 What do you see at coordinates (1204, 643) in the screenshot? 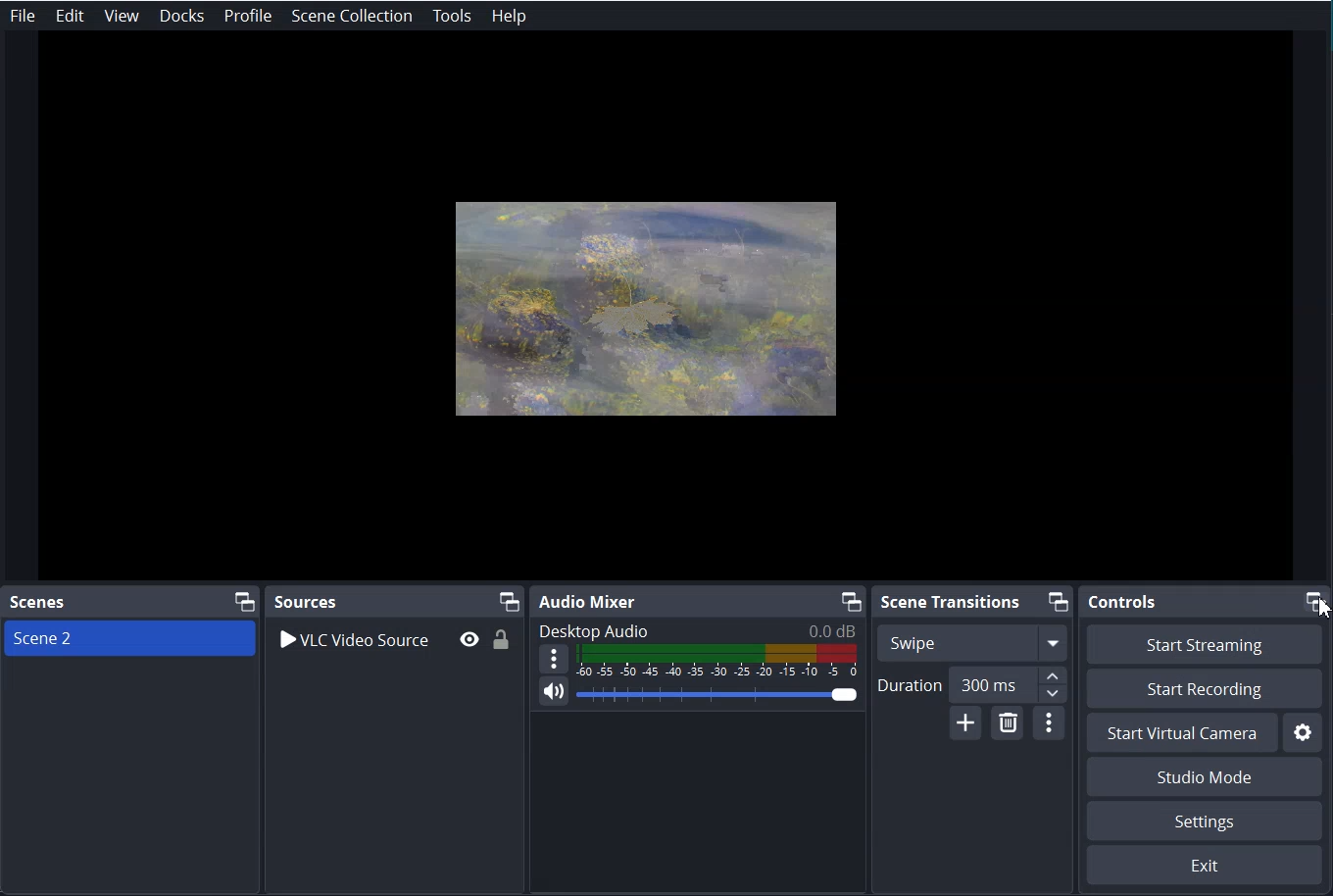
I see `Start Streaming` at bounding box center [1204, 643].